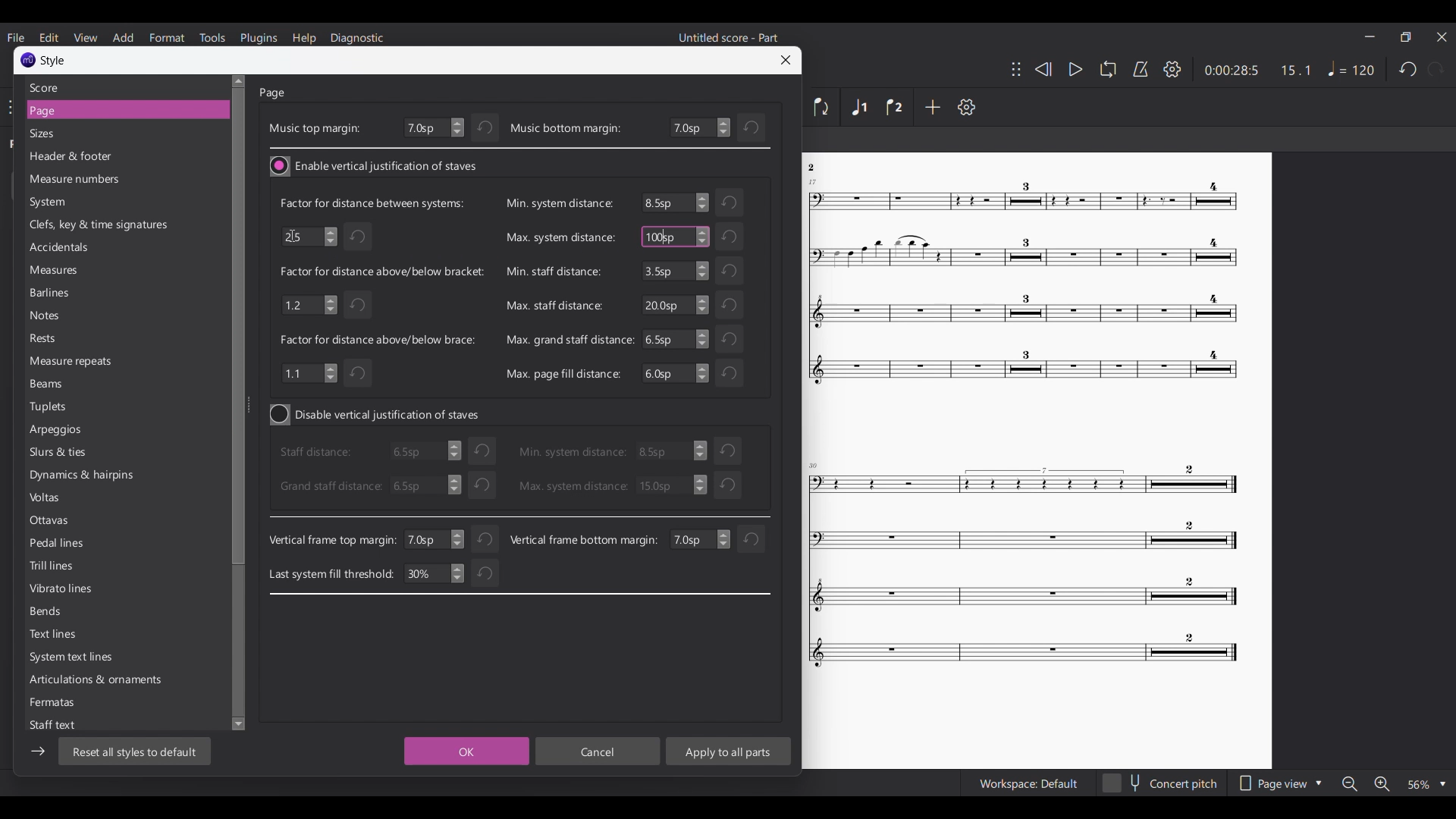 The width and height of the screenshot is (1456, 819). I want to click on Window title, so click(41, 60).